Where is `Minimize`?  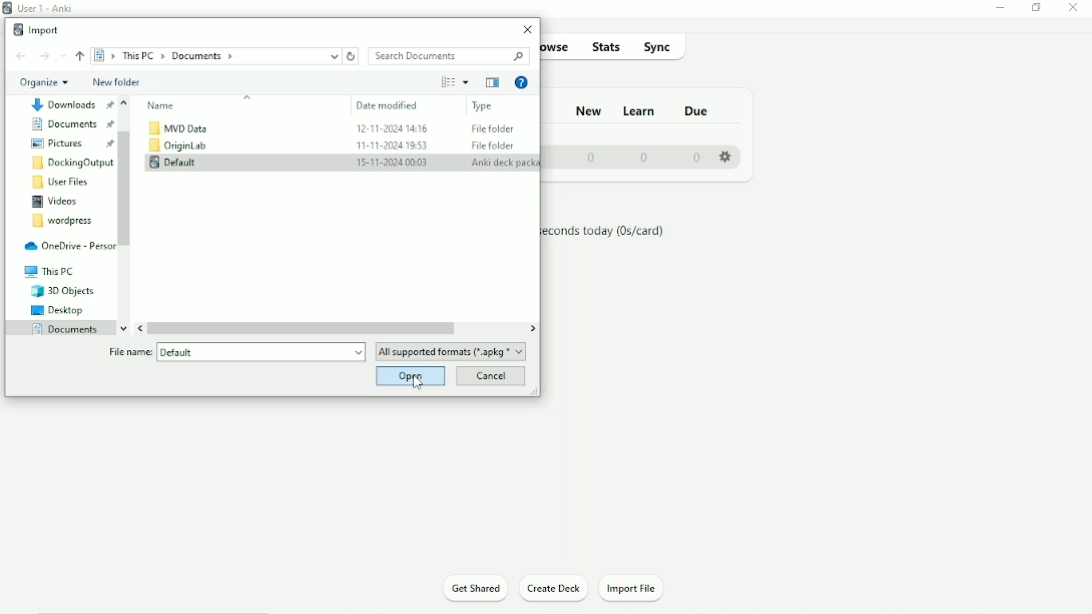
Minimize is located at coordinates (1002, 8).